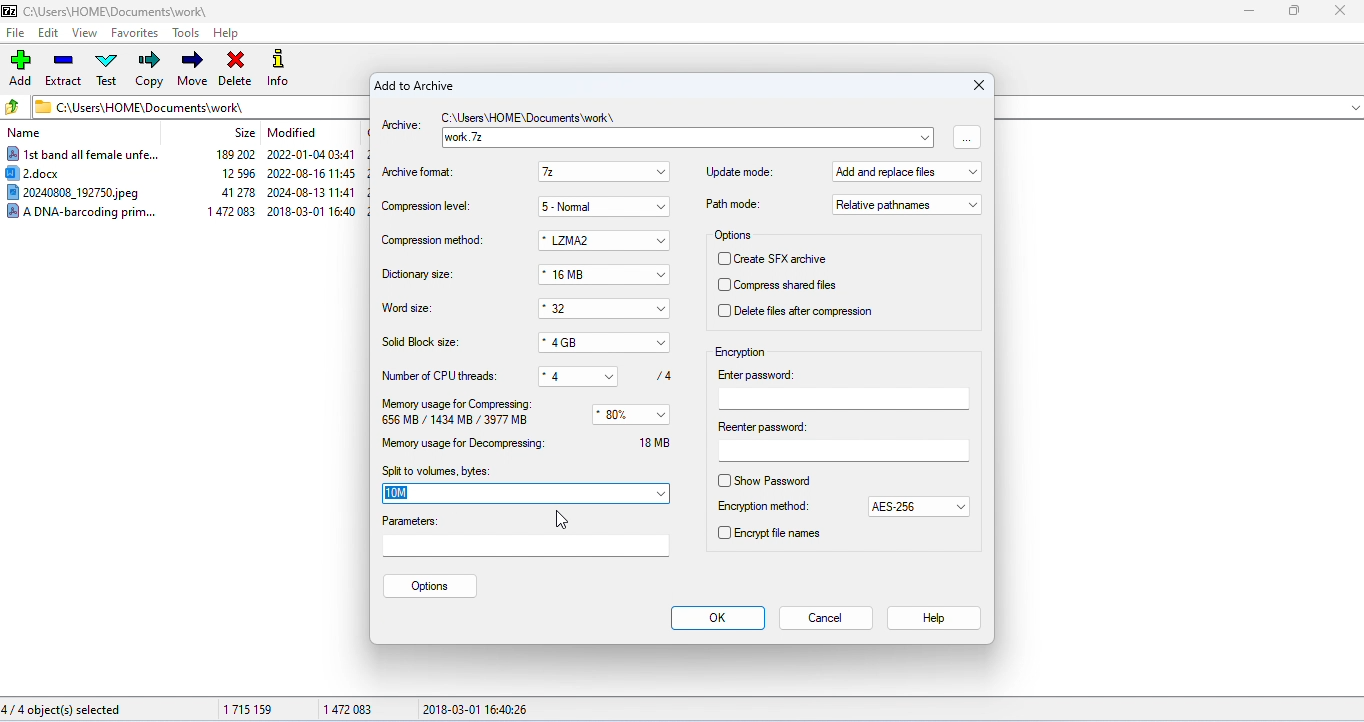  Describe the element at coordinates (427, 207) in the screenshot. I see `compression level` at that location.